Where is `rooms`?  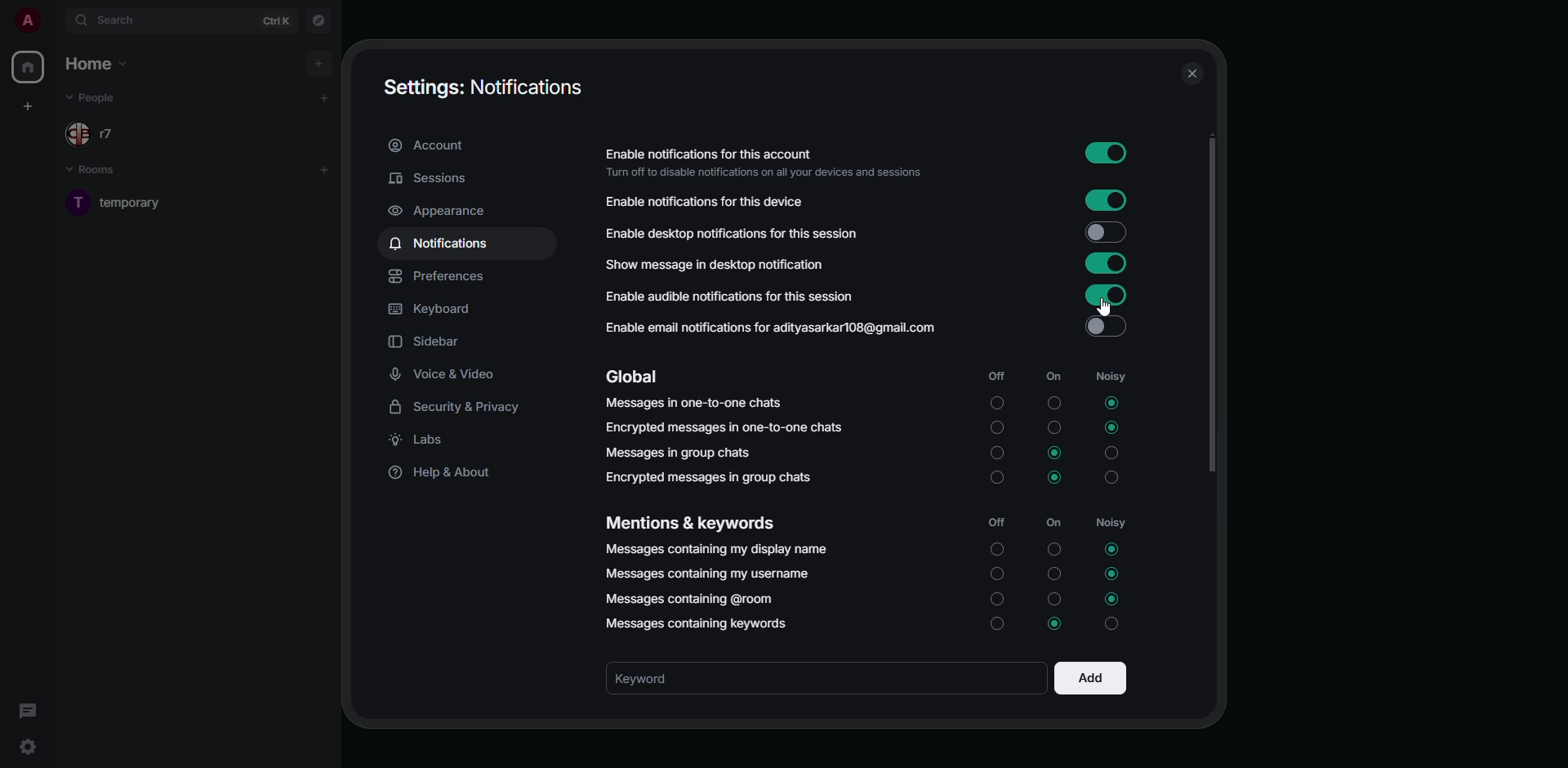 rooms is located at coordinates (100, 171).